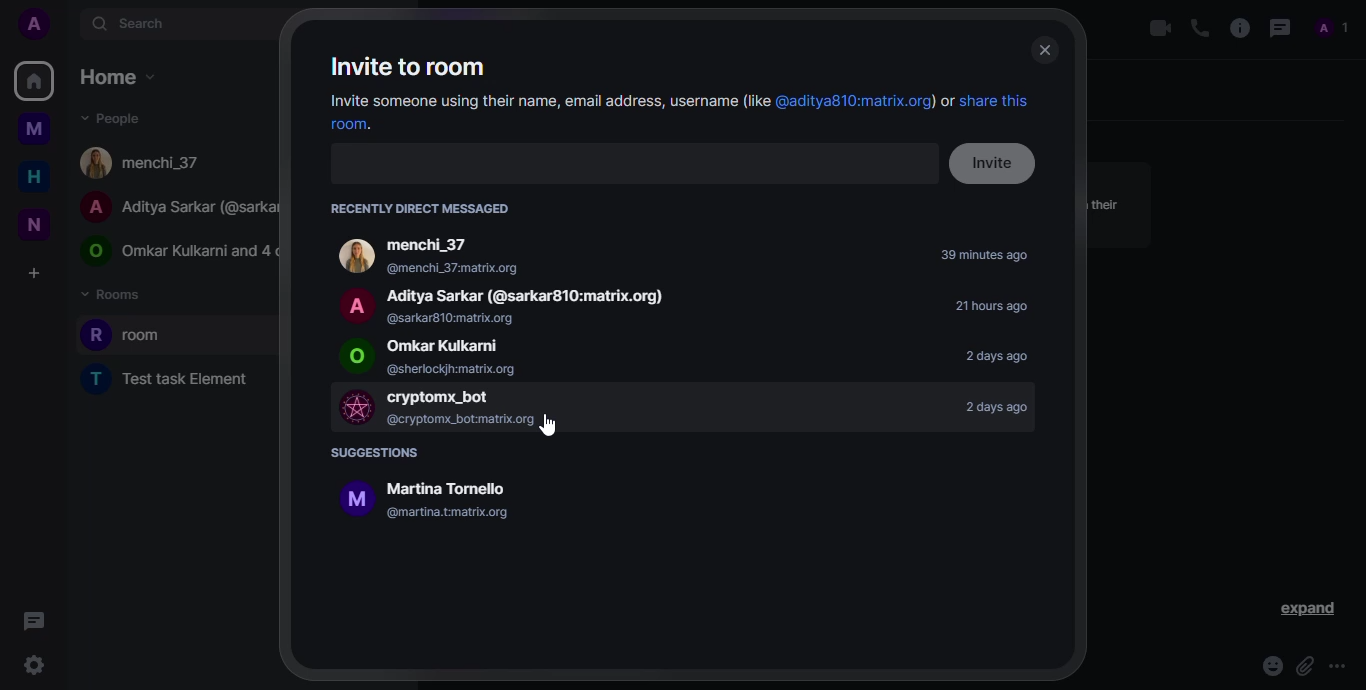  What do you see at coordinates (33, 81) in the screenshot?
I see `home` at bounding box center [33, 81].